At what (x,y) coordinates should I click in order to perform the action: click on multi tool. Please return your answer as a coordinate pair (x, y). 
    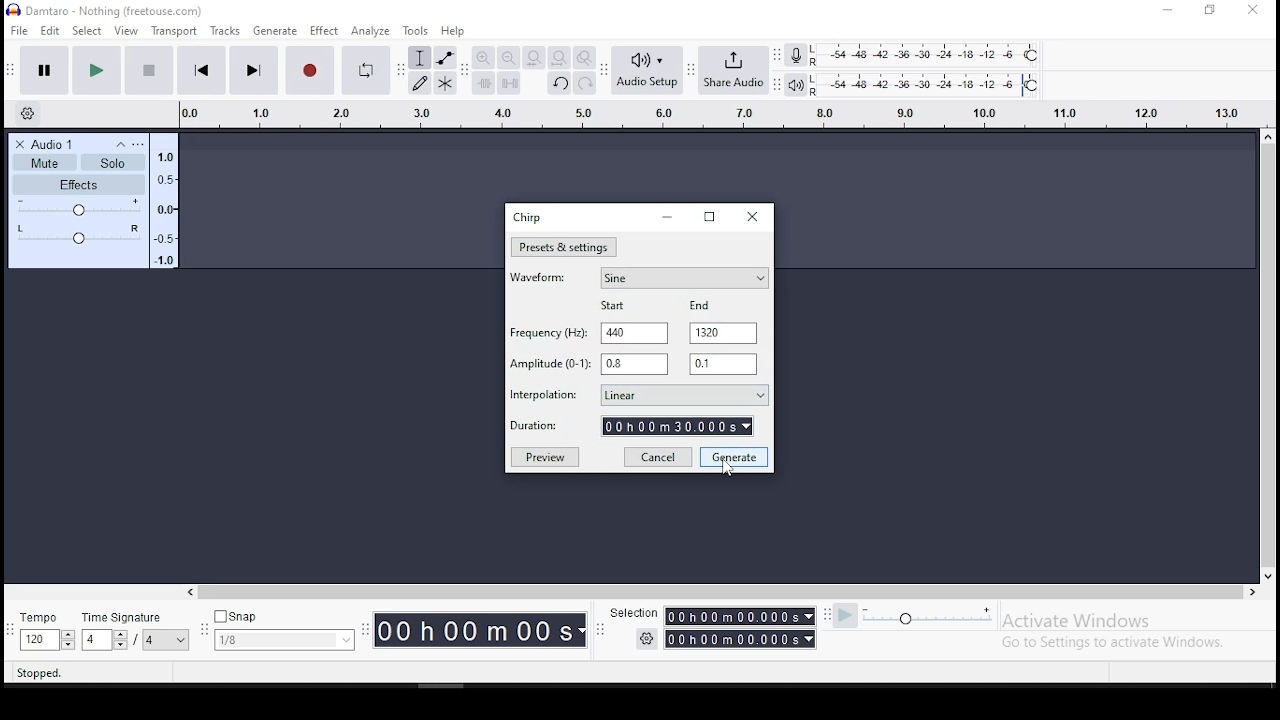
    Looking at the image, I should click on (446, 83).